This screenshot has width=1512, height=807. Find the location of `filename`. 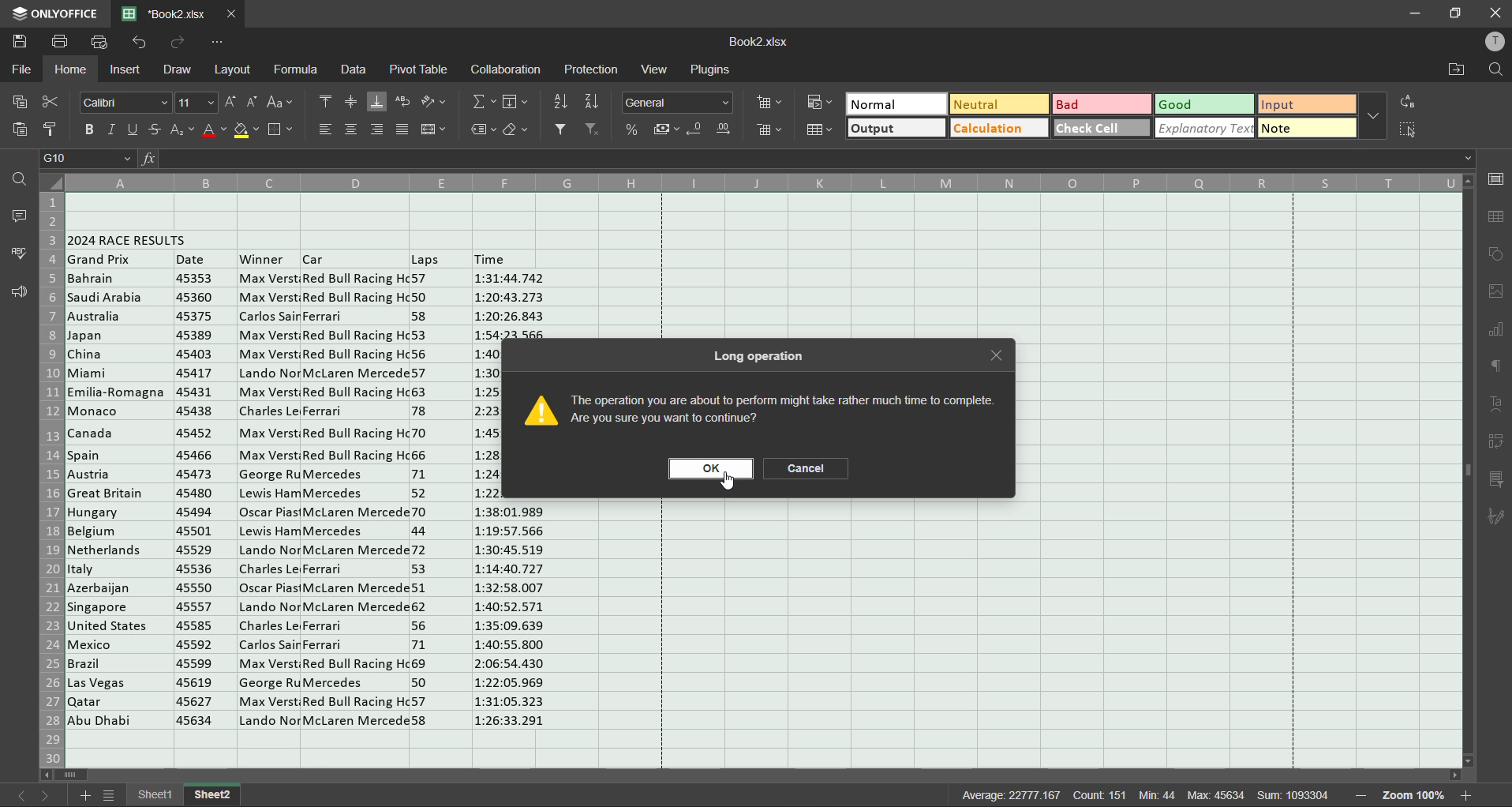

filename is located at coordinates (755, 42).